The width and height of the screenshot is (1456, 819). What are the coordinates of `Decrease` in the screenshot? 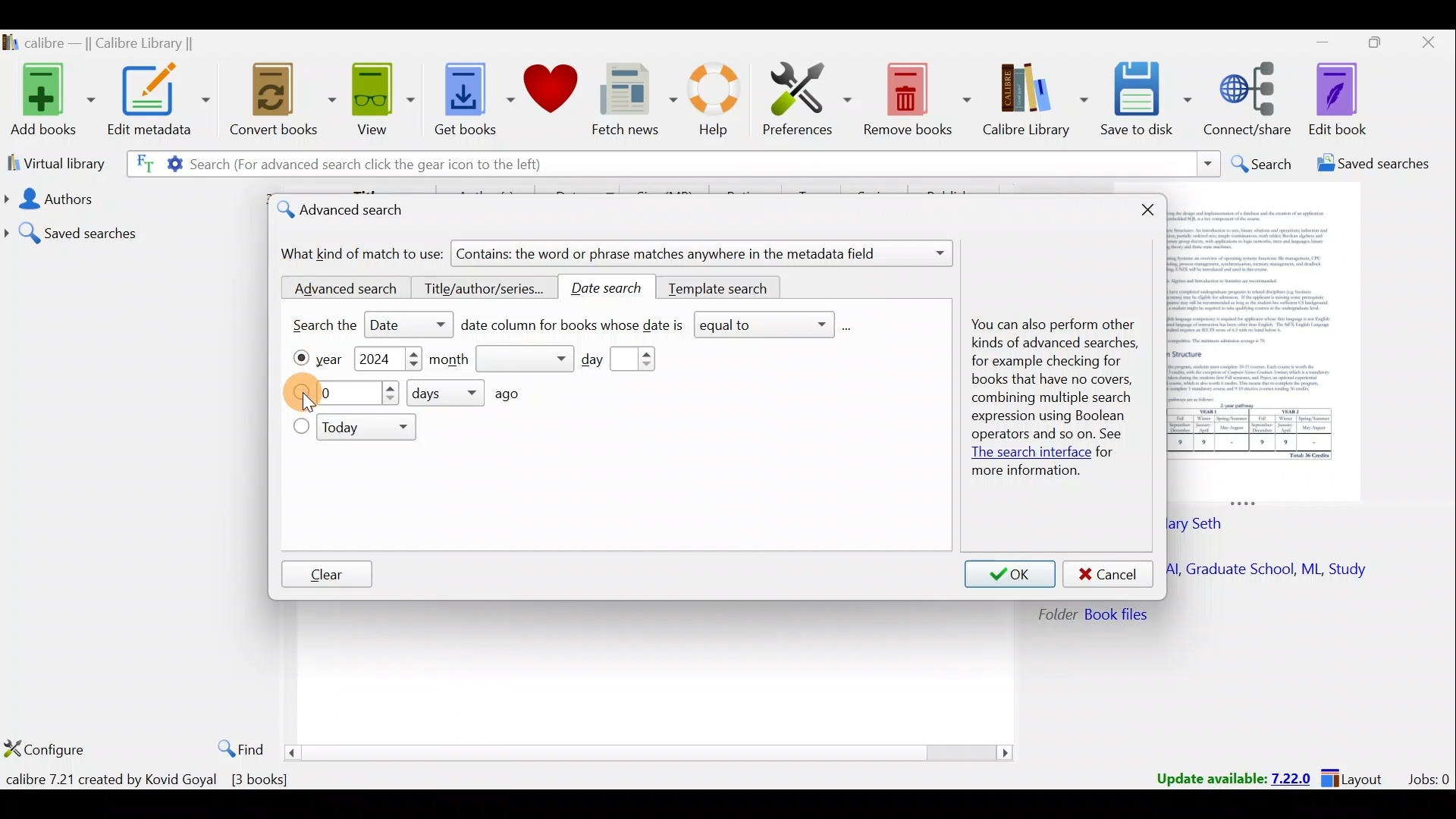 It's located at (413, 367).